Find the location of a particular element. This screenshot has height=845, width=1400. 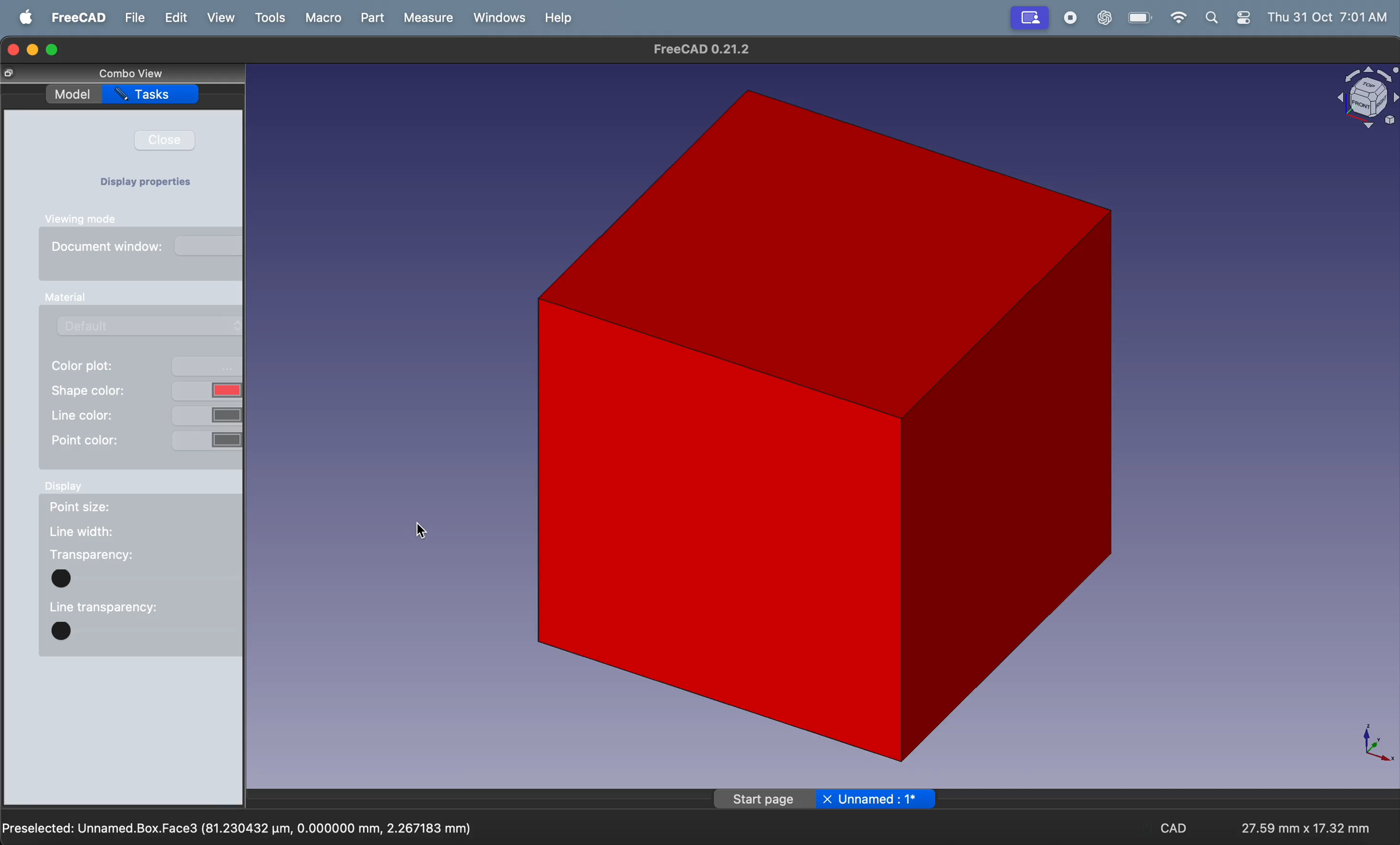

minimize is located at coordinates (35, 49).